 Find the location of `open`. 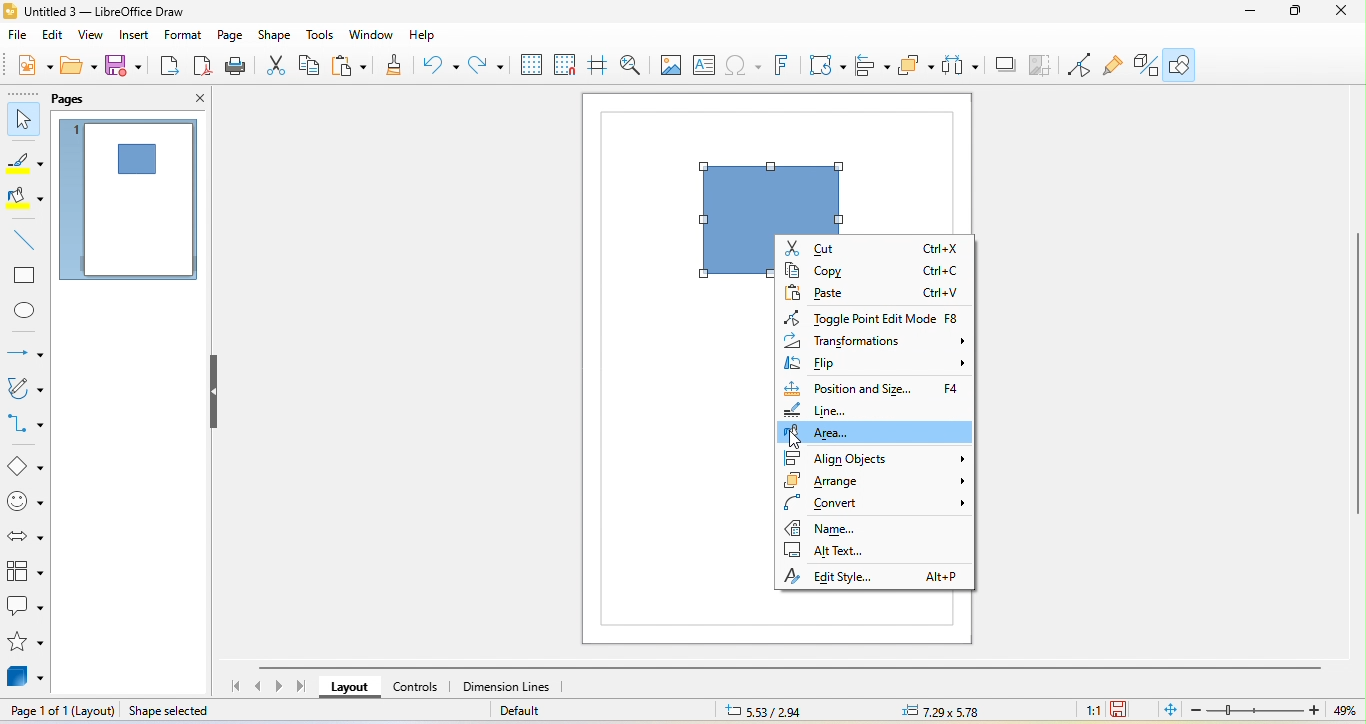

open is located at coordinates (80, 69).